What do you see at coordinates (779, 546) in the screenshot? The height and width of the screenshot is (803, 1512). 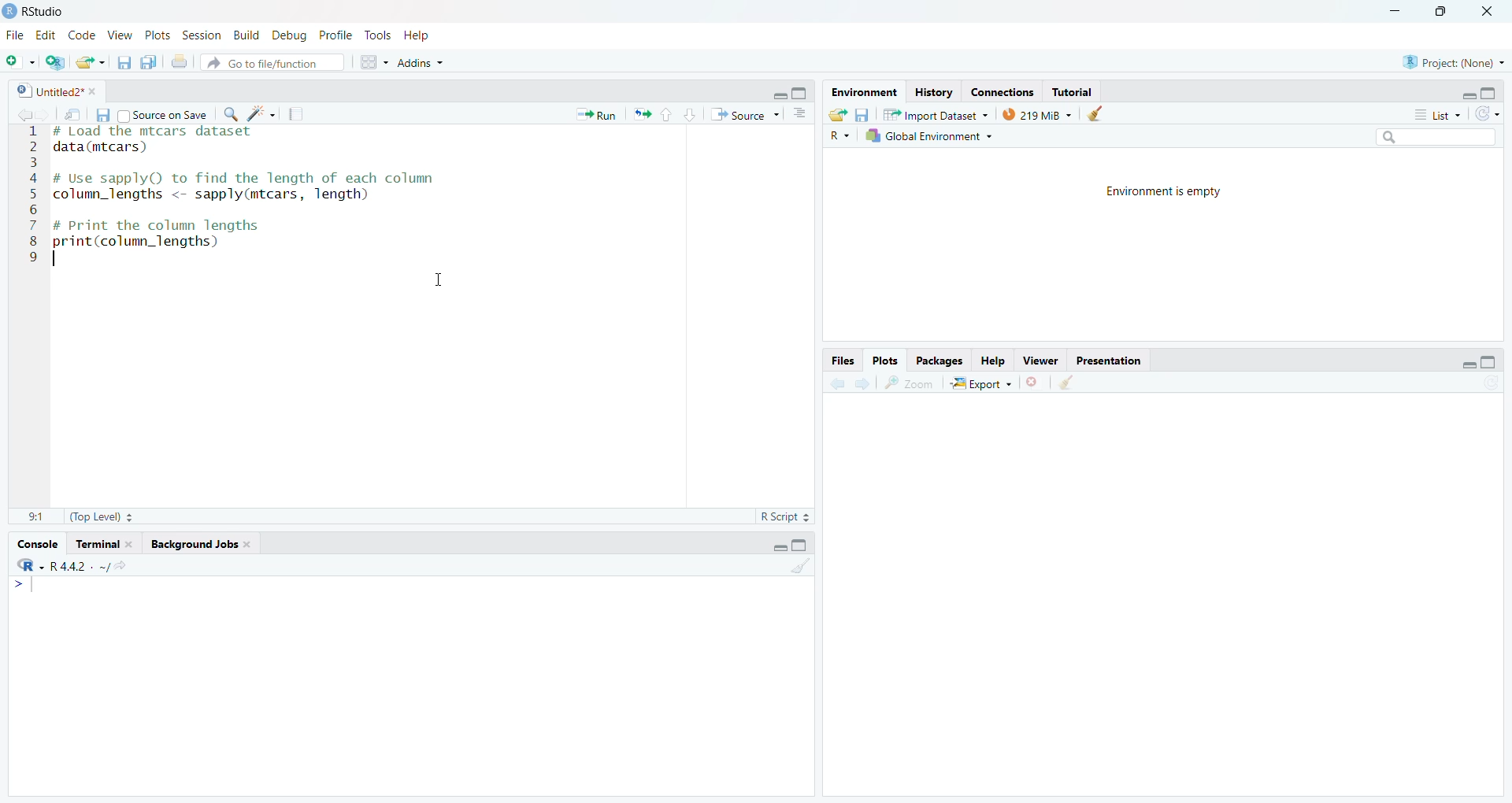 I see `Hide` at bounding box center [779, 546].